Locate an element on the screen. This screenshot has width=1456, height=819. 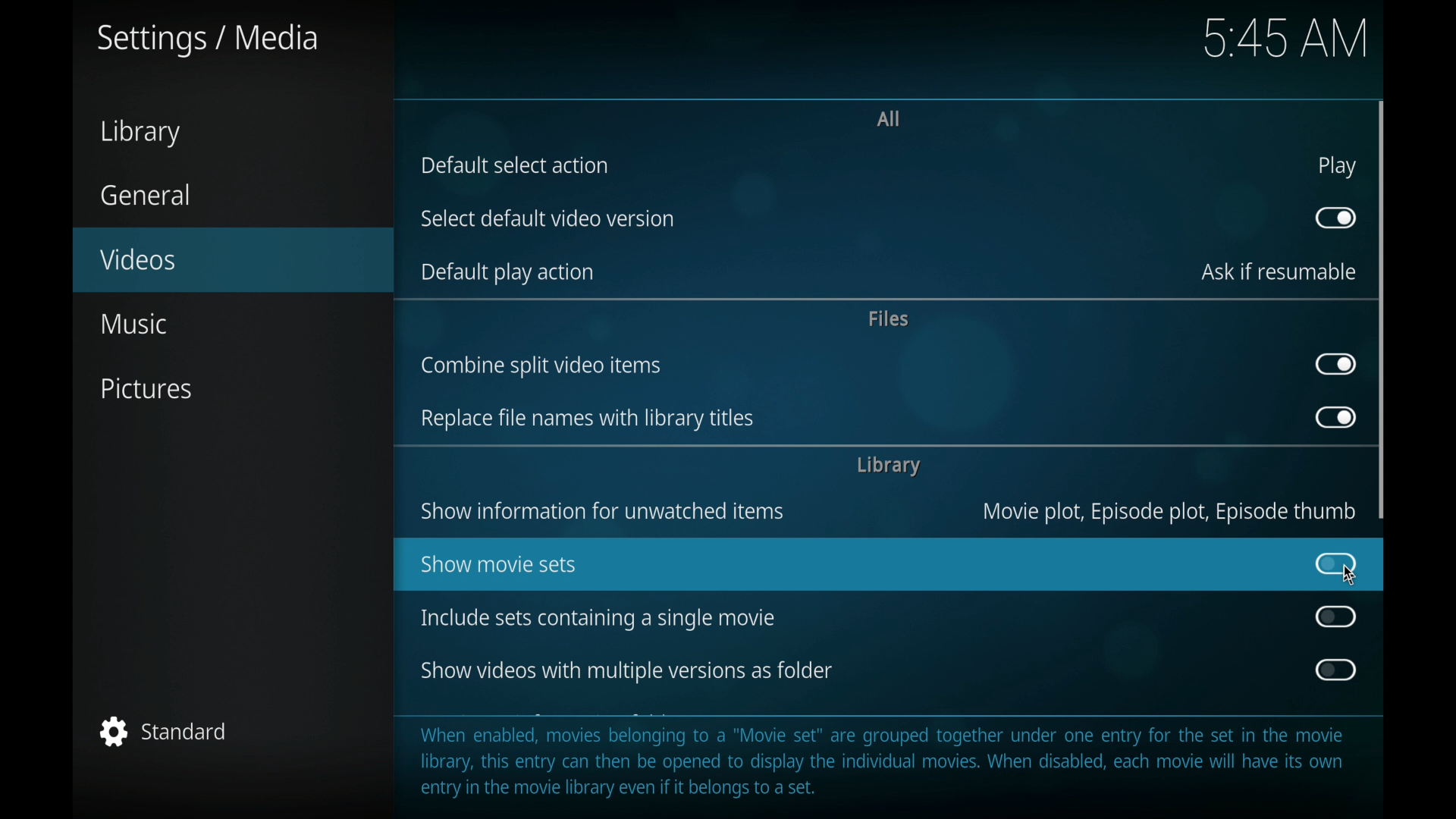
default play action is located at coordinates (506, 273).